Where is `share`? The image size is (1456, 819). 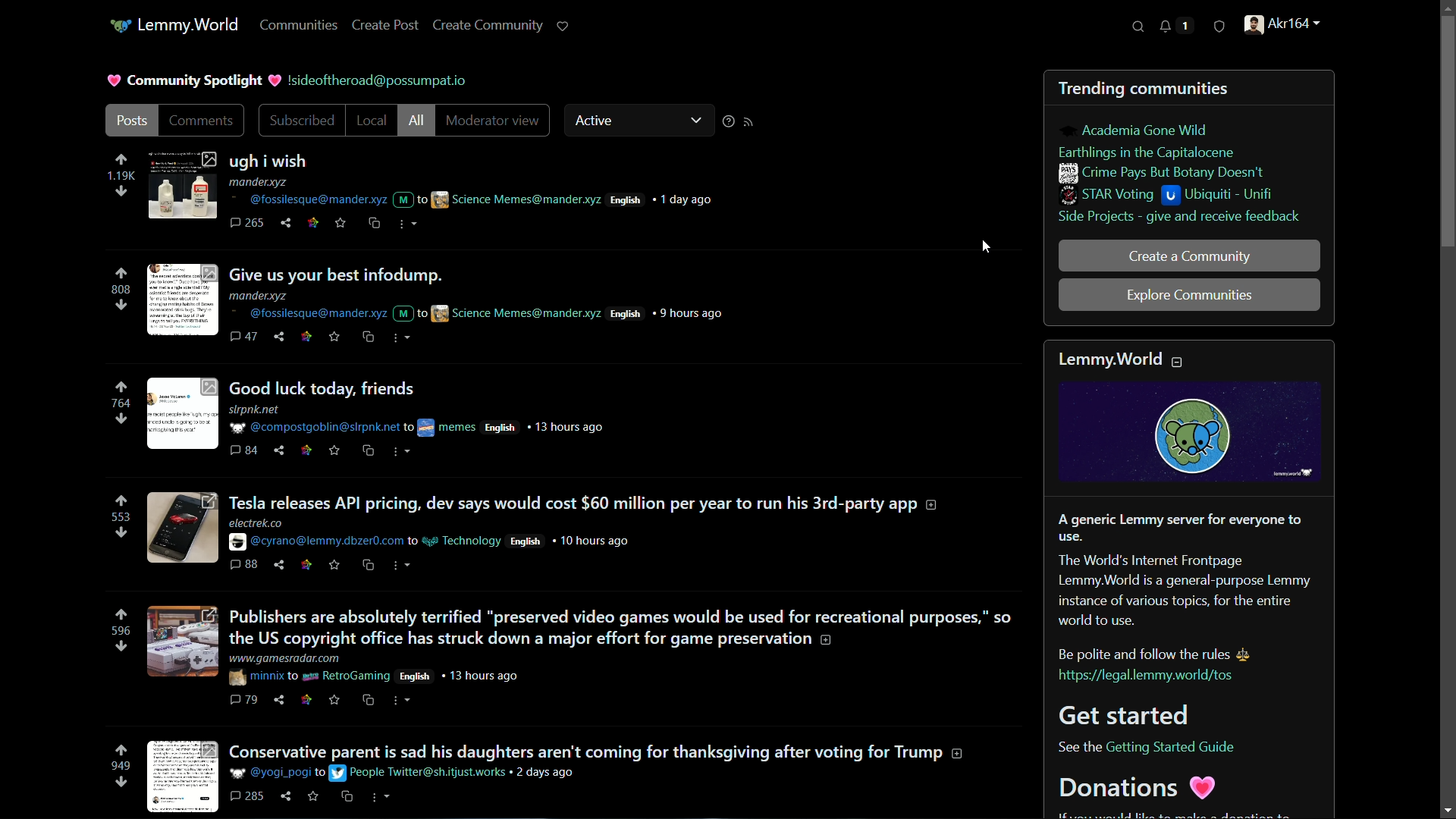 share is located at coordinates (281, 338).